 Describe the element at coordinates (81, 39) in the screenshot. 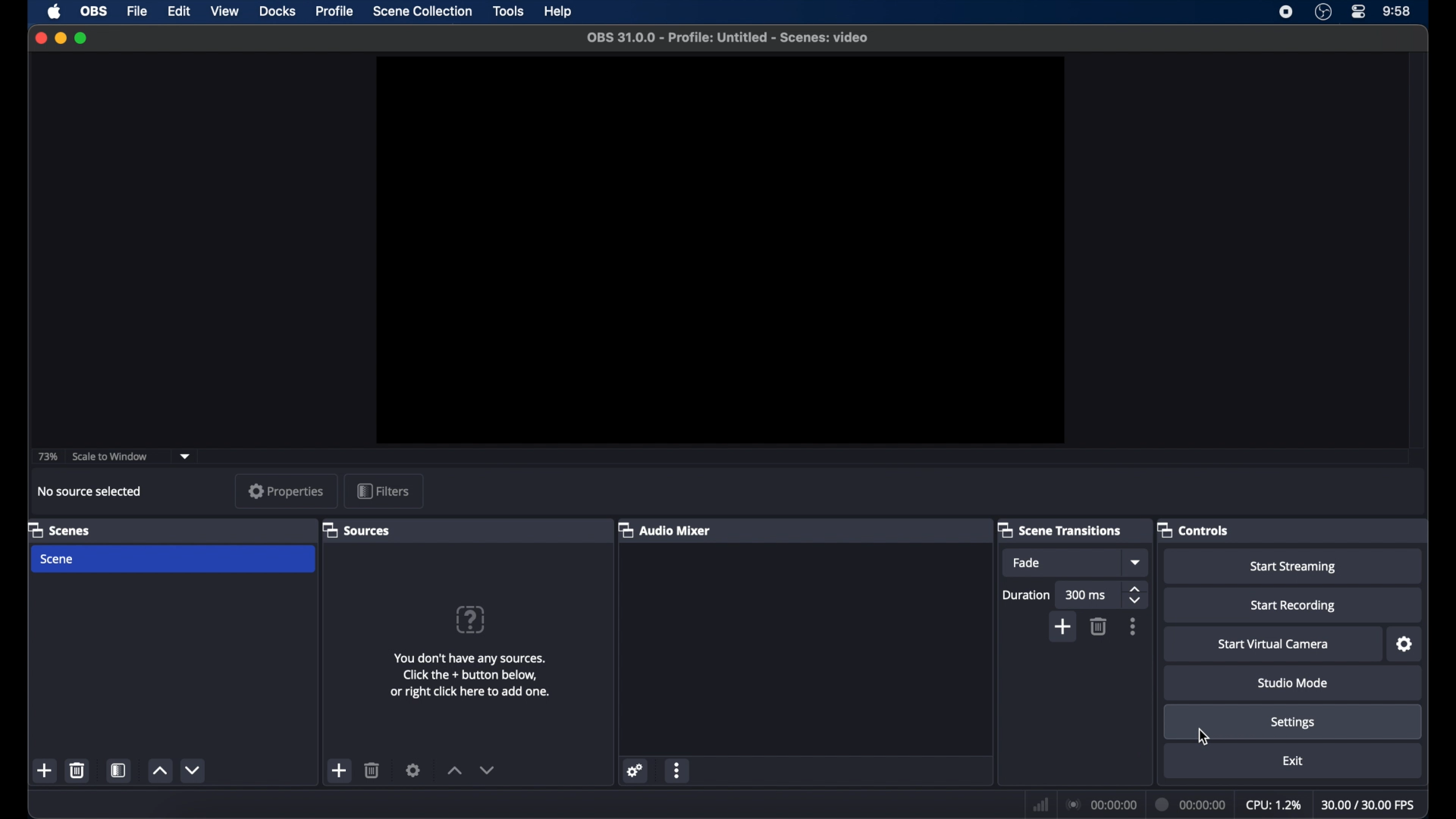

I see `maximize` at that location.